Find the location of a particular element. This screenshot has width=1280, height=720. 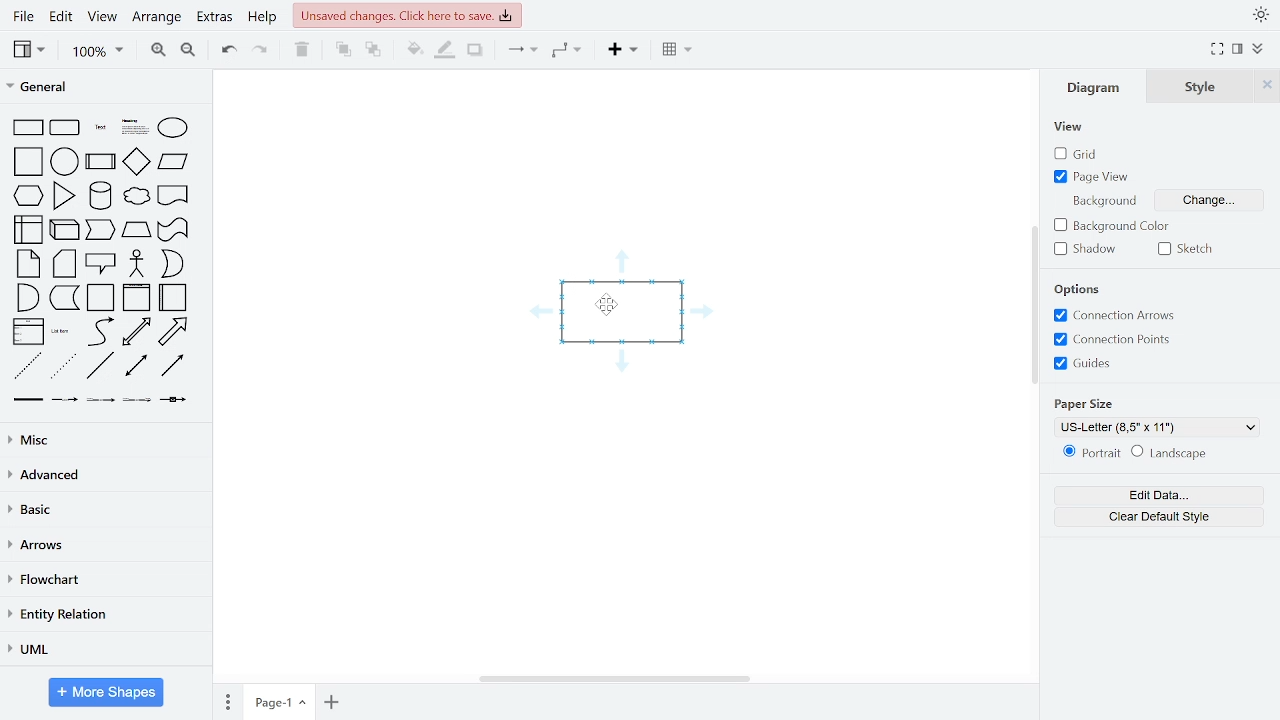

extras is located at coordinates (215, 19).